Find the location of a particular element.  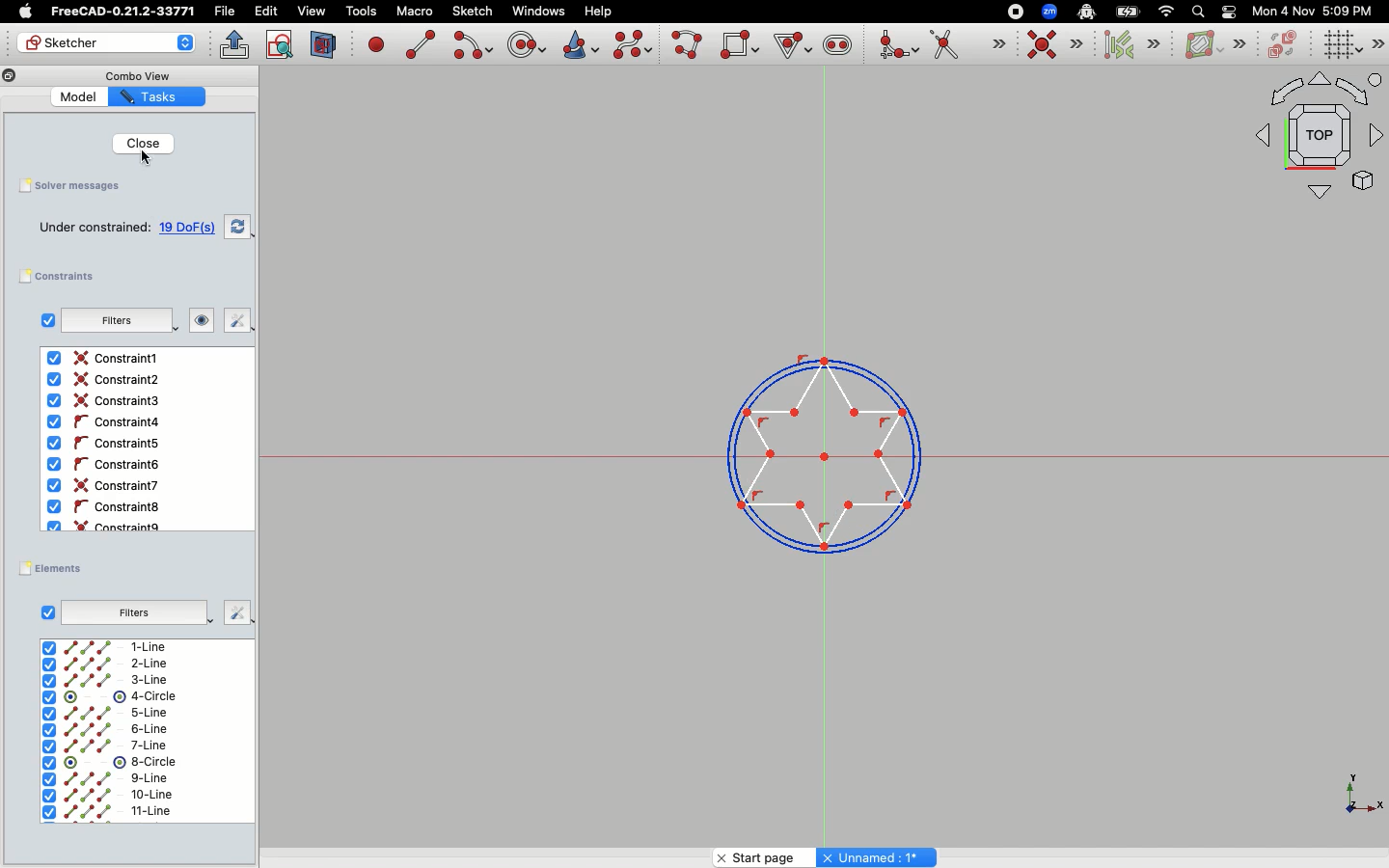

Tools is located at coordinates (361, 13).